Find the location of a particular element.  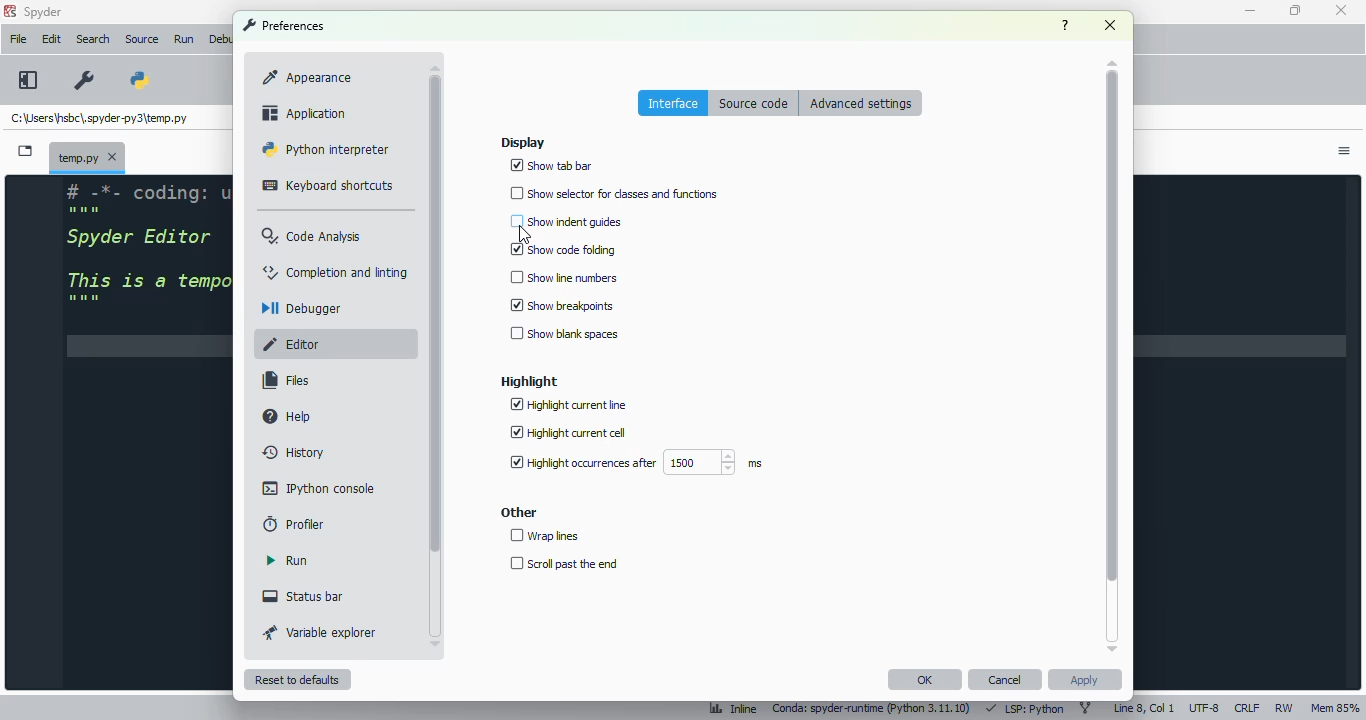

show blank spaces is located at coordinates (566, 334).